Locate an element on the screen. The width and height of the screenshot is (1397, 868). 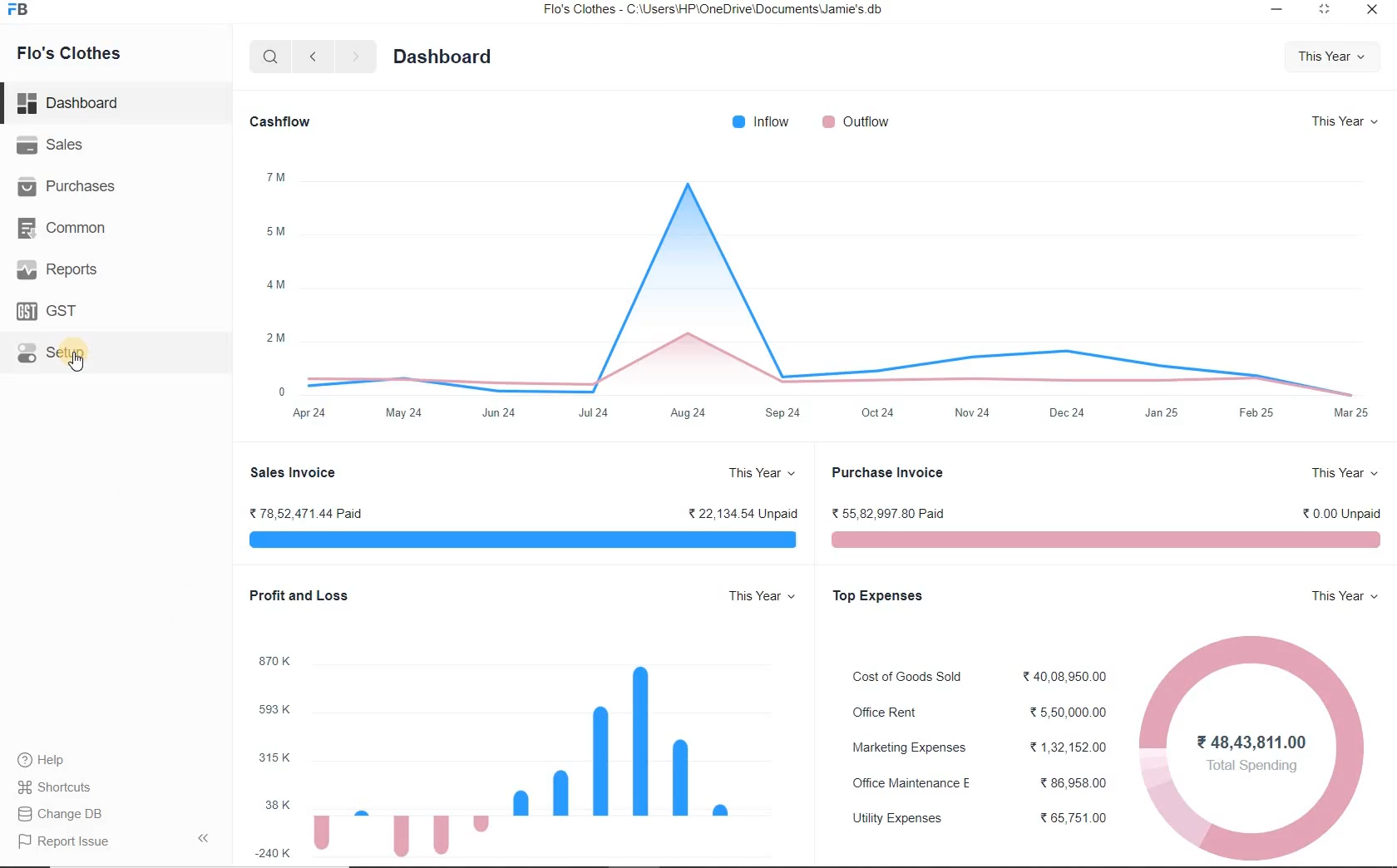
315K is located at coordinates (274, 757).